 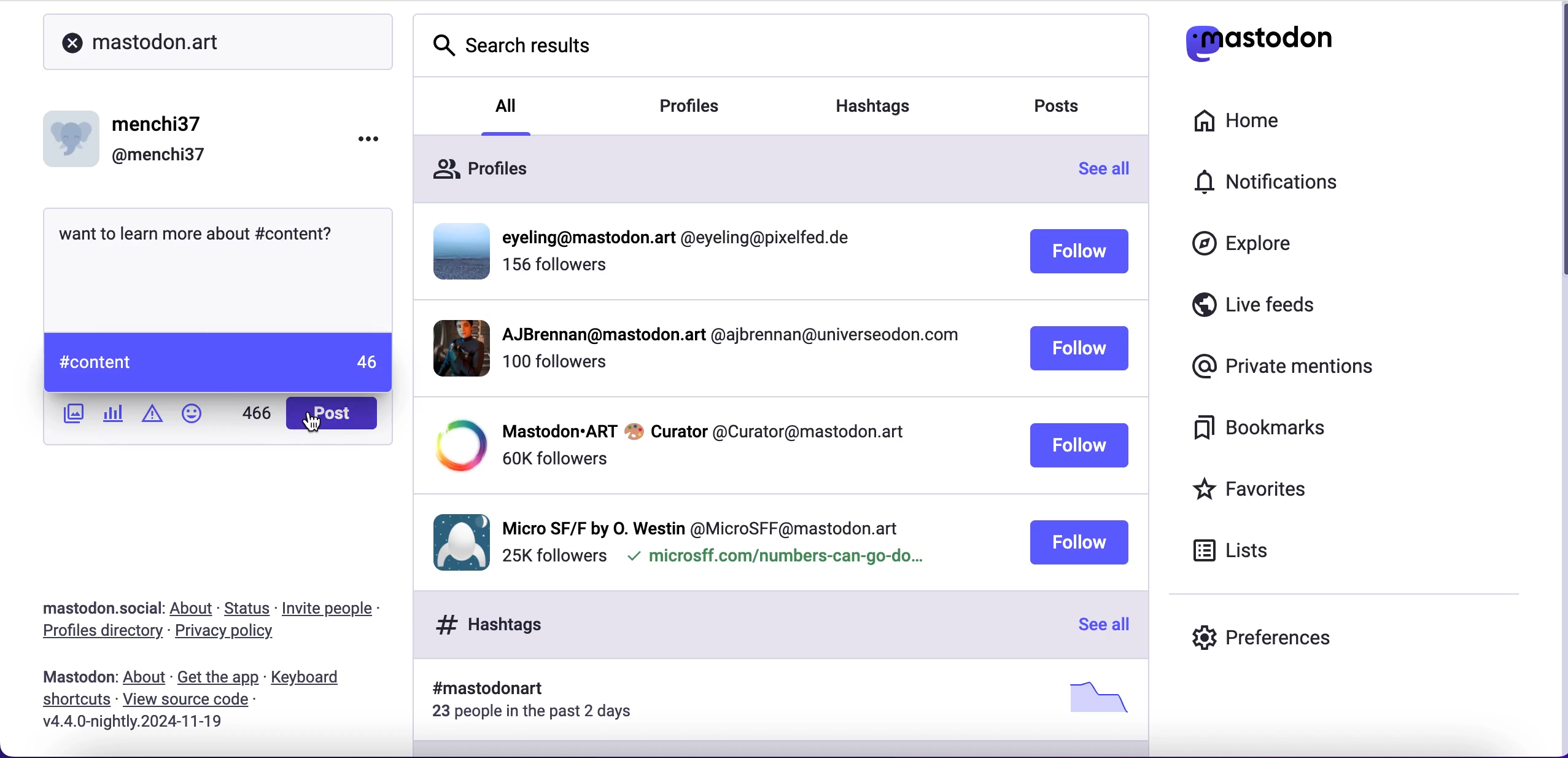 What do you see at coordinates (1269, 432) in the screenshot?
I see `bookmarks` at bounding box center [1269, 432].